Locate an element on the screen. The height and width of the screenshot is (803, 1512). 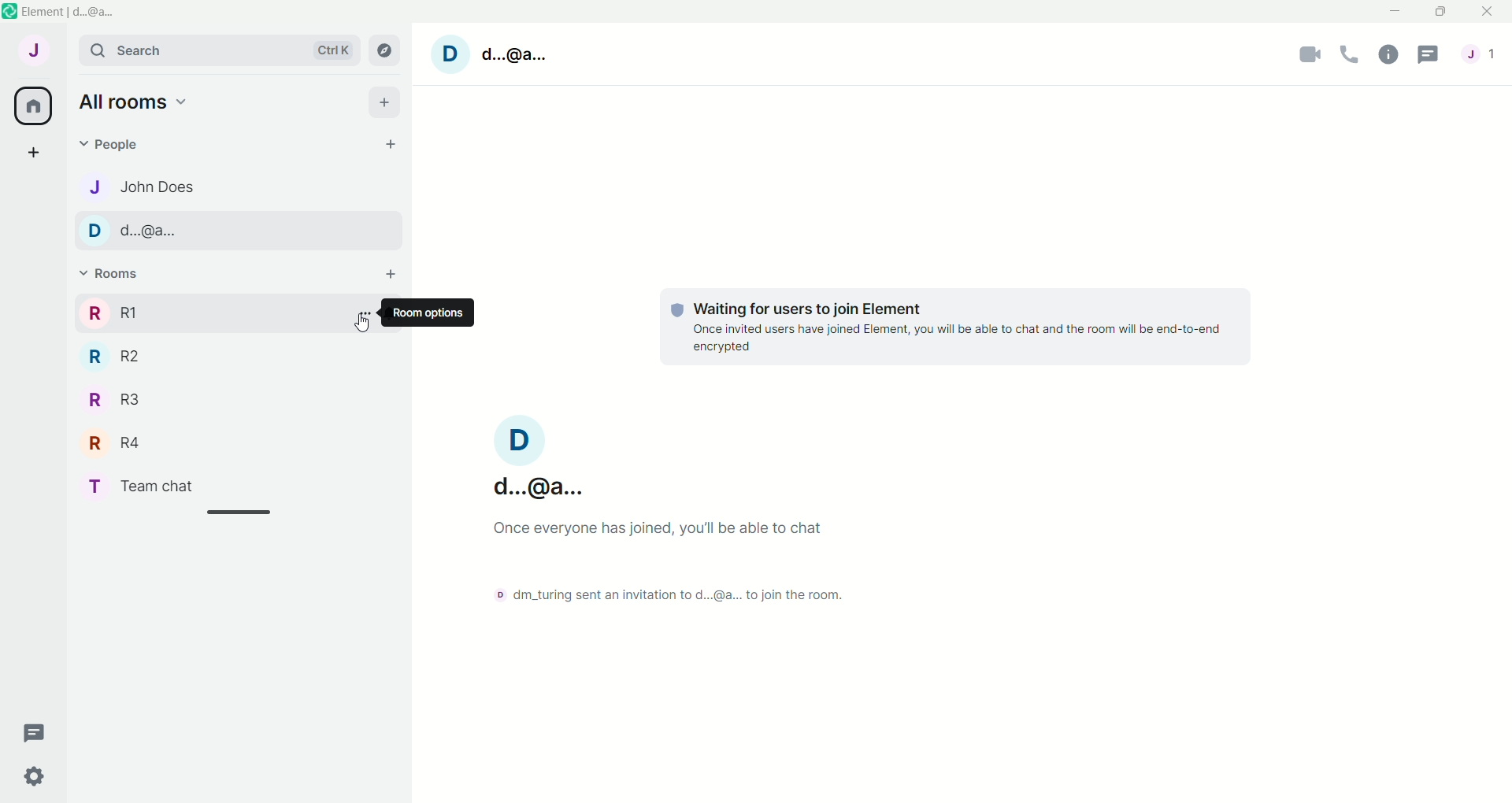
minimize is located at coordinates (1397, 13).